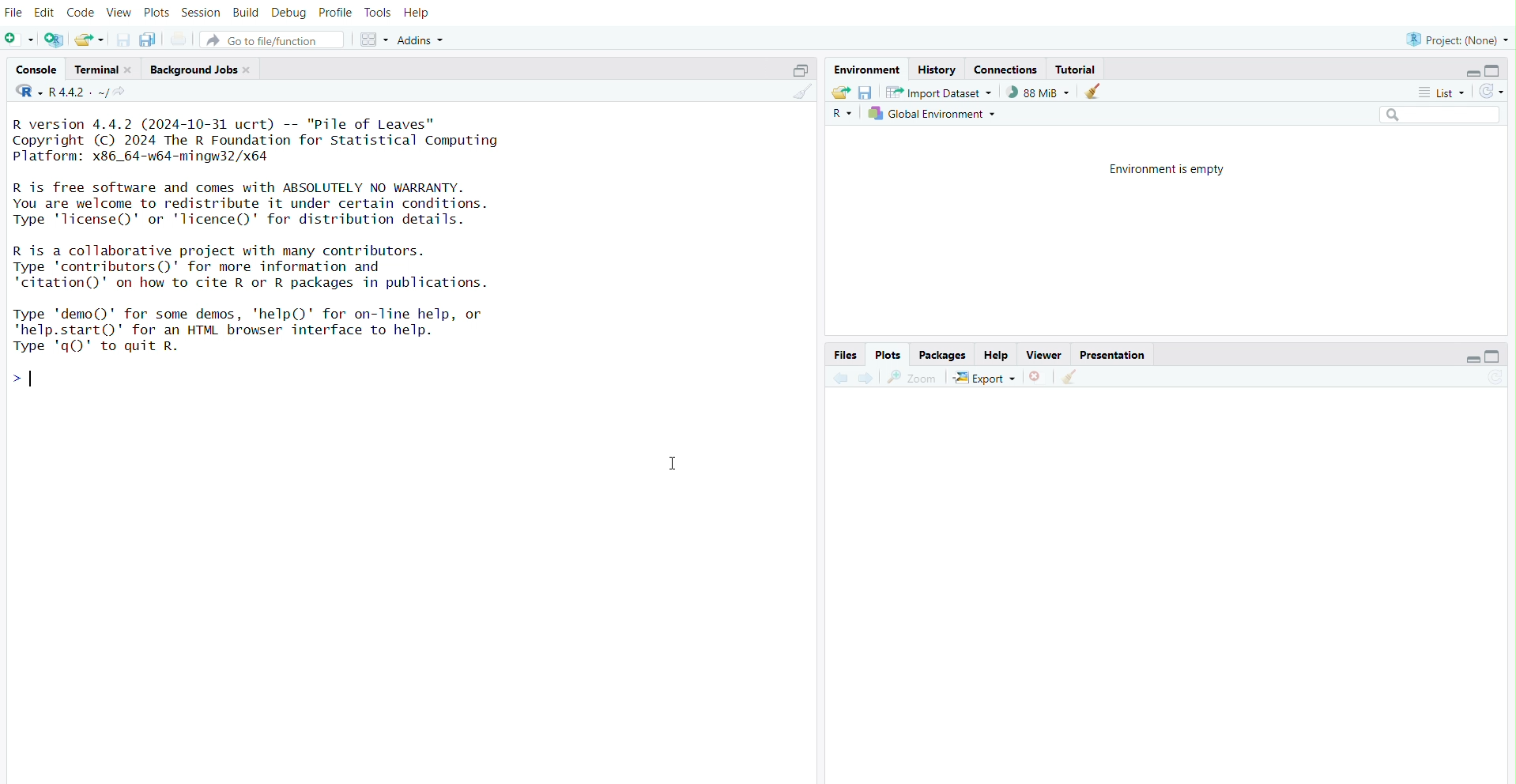 Image resolution: width=1516 pixels, height=784 pixels. I want to click on workspace panes, so click(375, 37).